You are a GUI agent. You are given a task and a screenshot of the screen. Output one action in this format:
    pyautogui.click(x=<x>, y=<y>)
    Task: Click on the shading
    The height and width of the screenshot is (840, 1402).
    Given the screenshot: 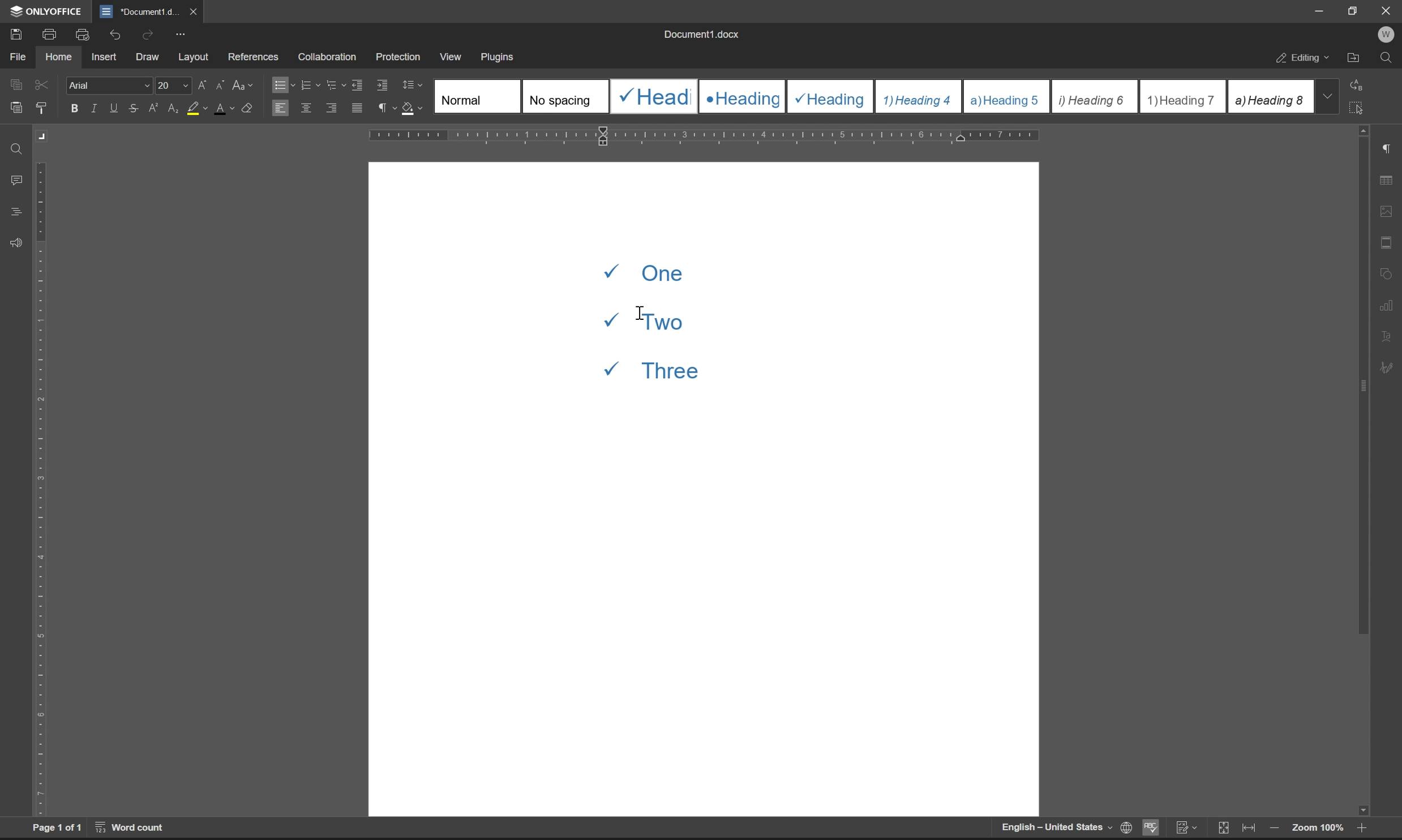 What is the action you would take?
    pyautogui.click(x=410, y=106)
    